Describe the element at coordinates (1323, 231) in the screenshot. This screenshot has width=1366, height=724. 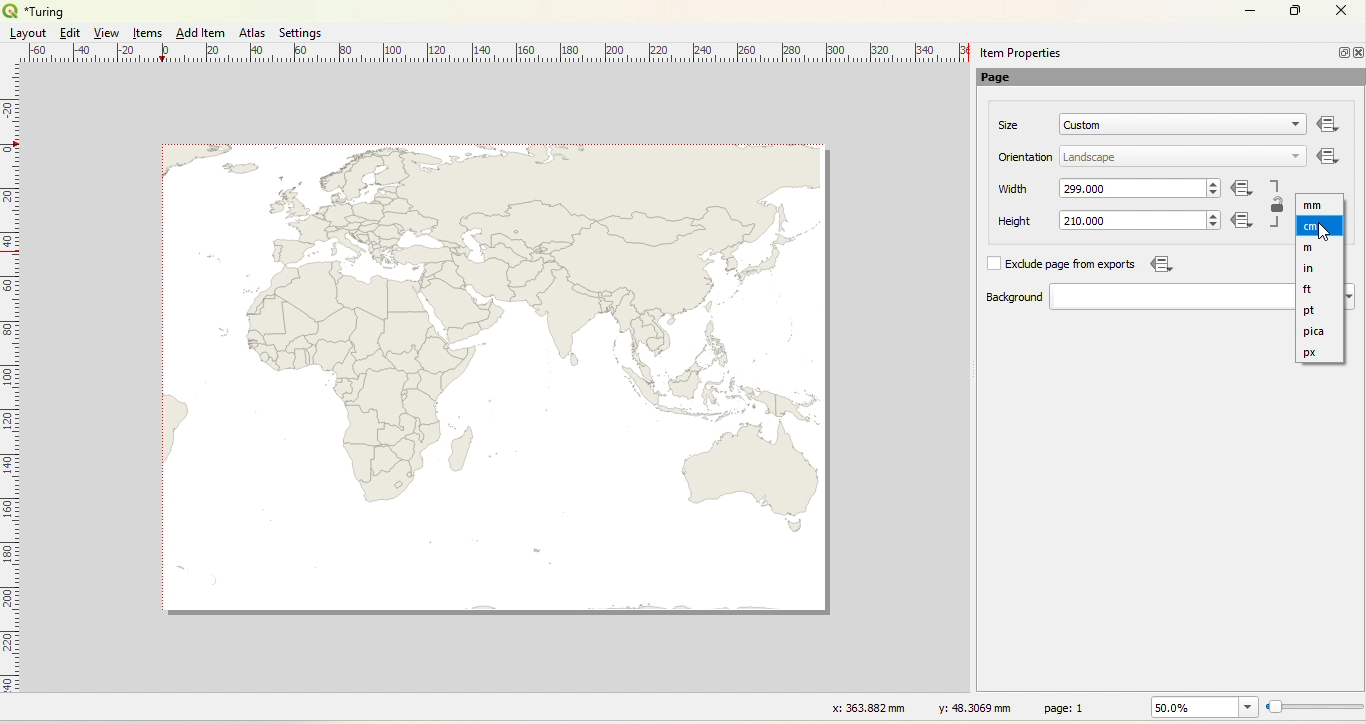
I see `Cursor` at that location.